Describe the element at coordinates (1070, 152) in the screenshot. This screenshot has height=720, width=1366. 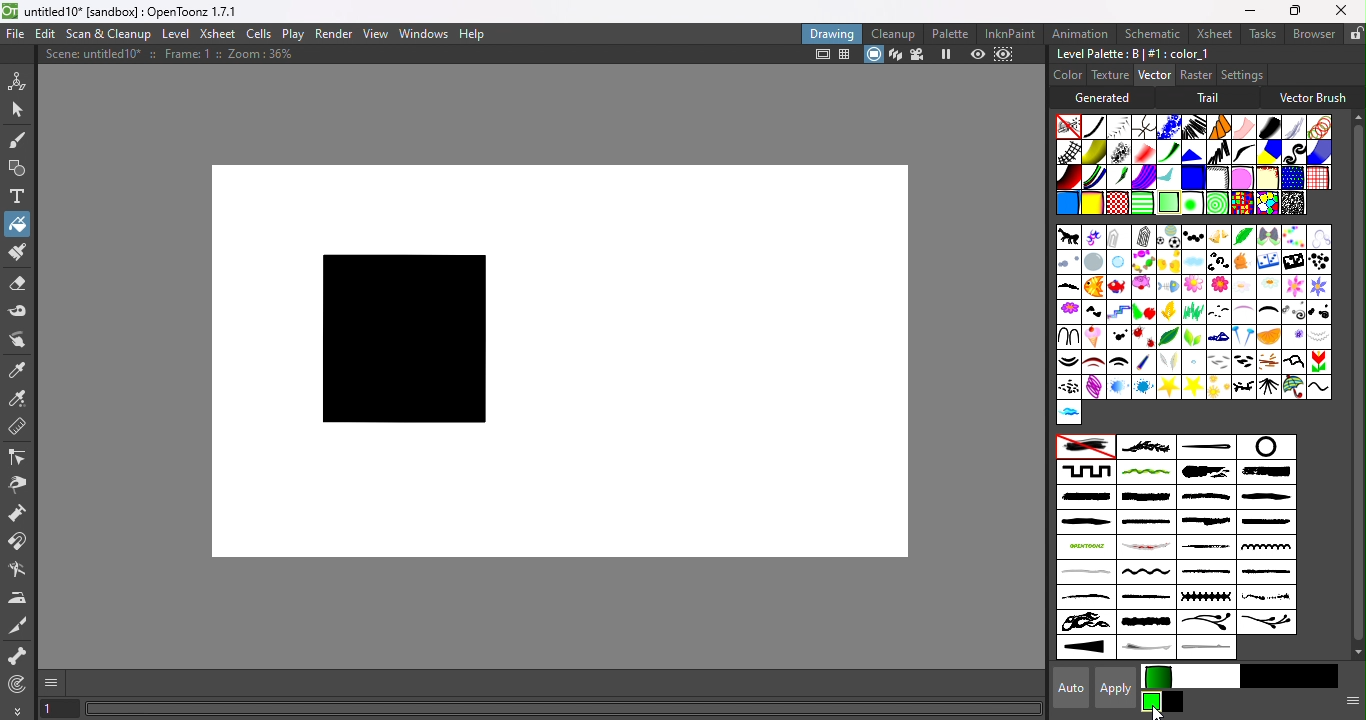
I see `Gauze` at that location.